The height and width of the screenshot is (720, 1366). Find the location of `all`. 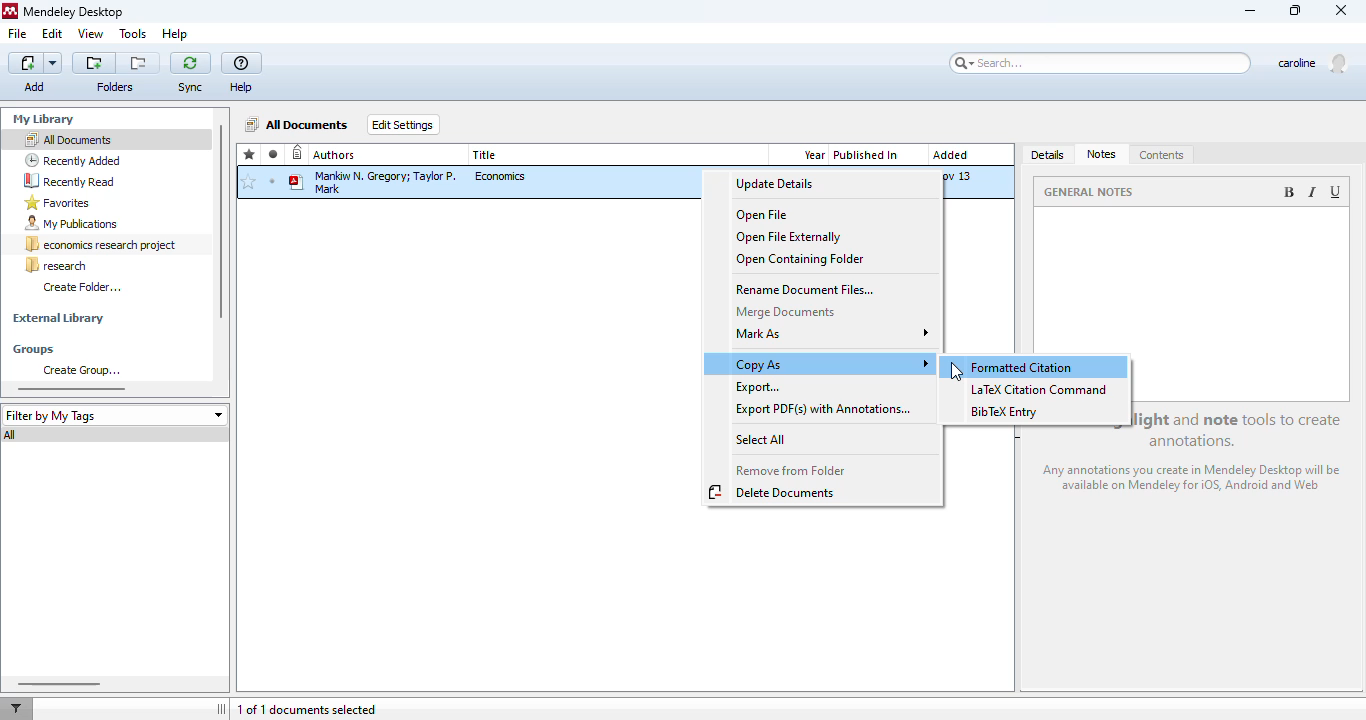

all is located at coordinates (12, 435).